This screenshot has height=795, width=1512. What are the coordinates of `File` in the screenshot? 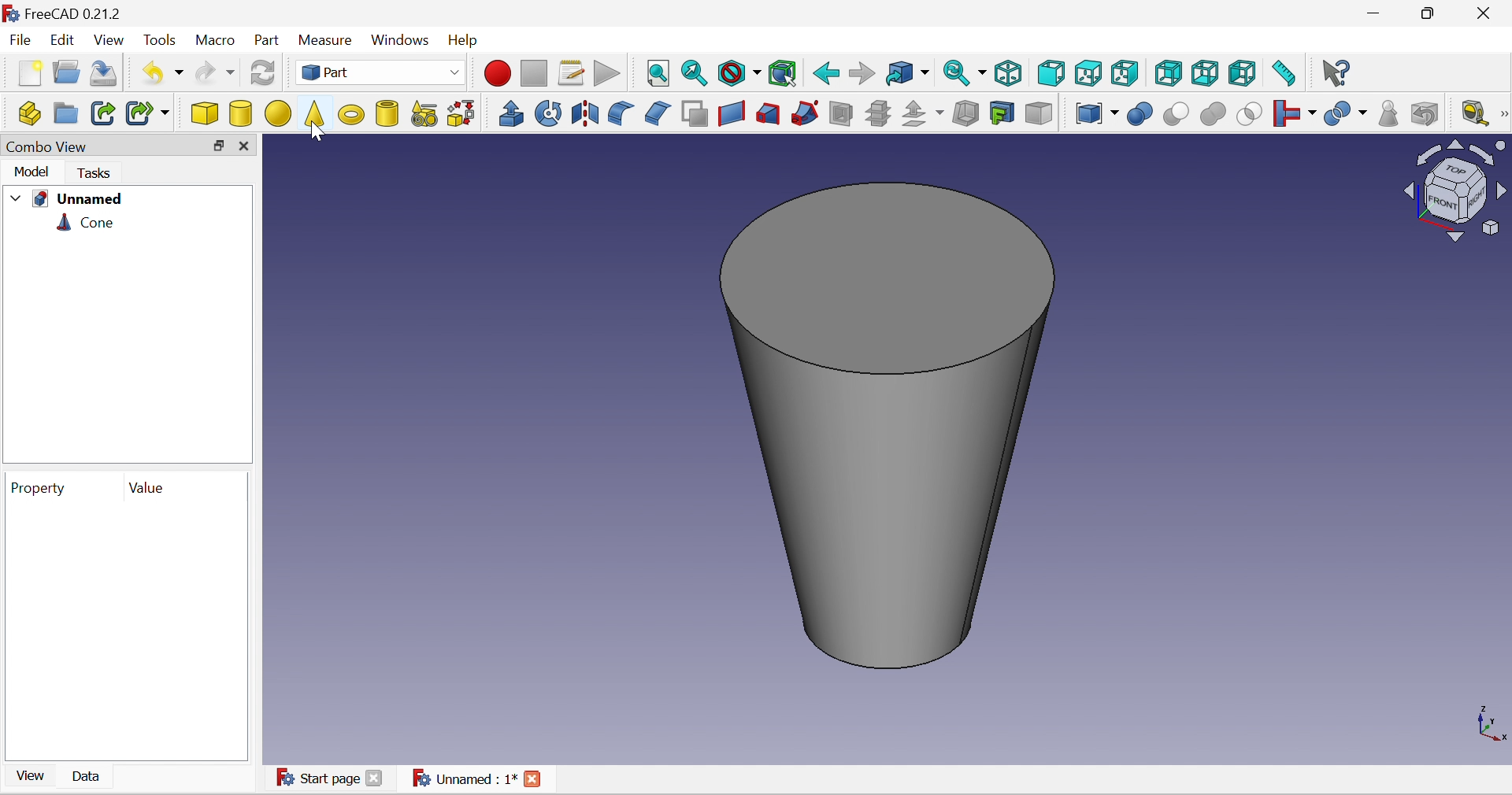 It's located at (23, 41).